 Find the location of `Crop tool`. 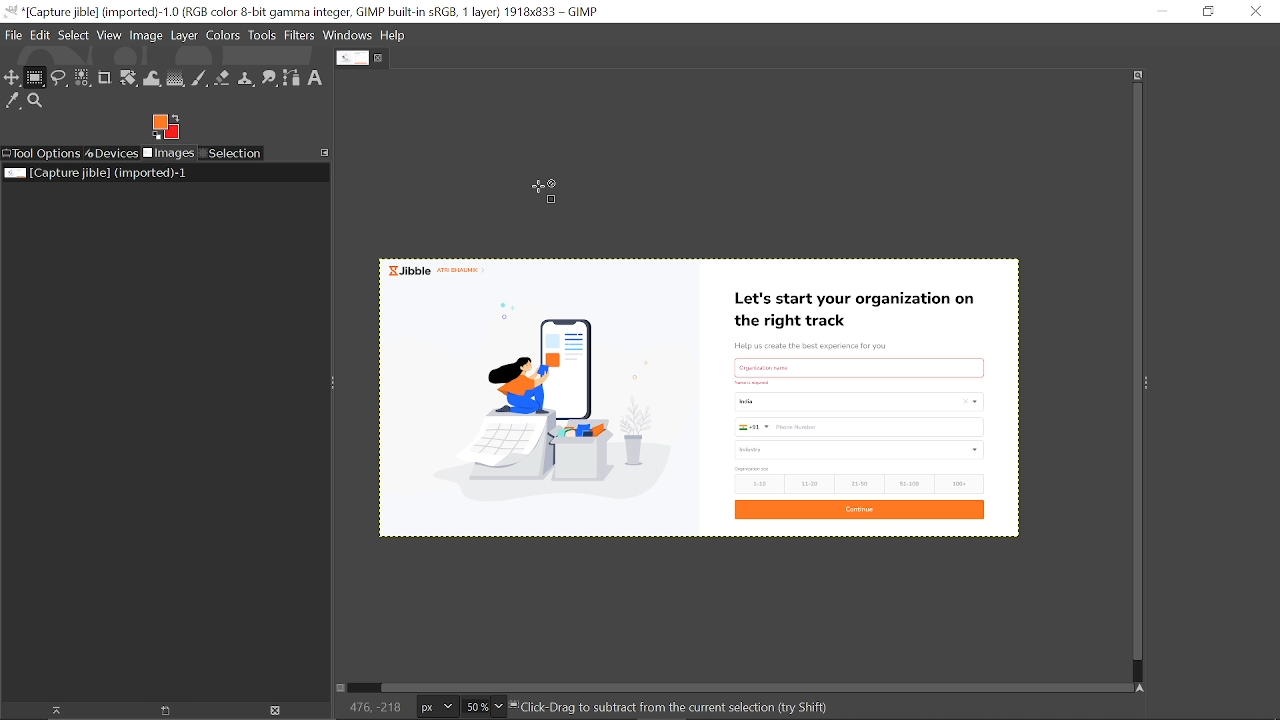

Crop tool is located at coordinates (104, 79).